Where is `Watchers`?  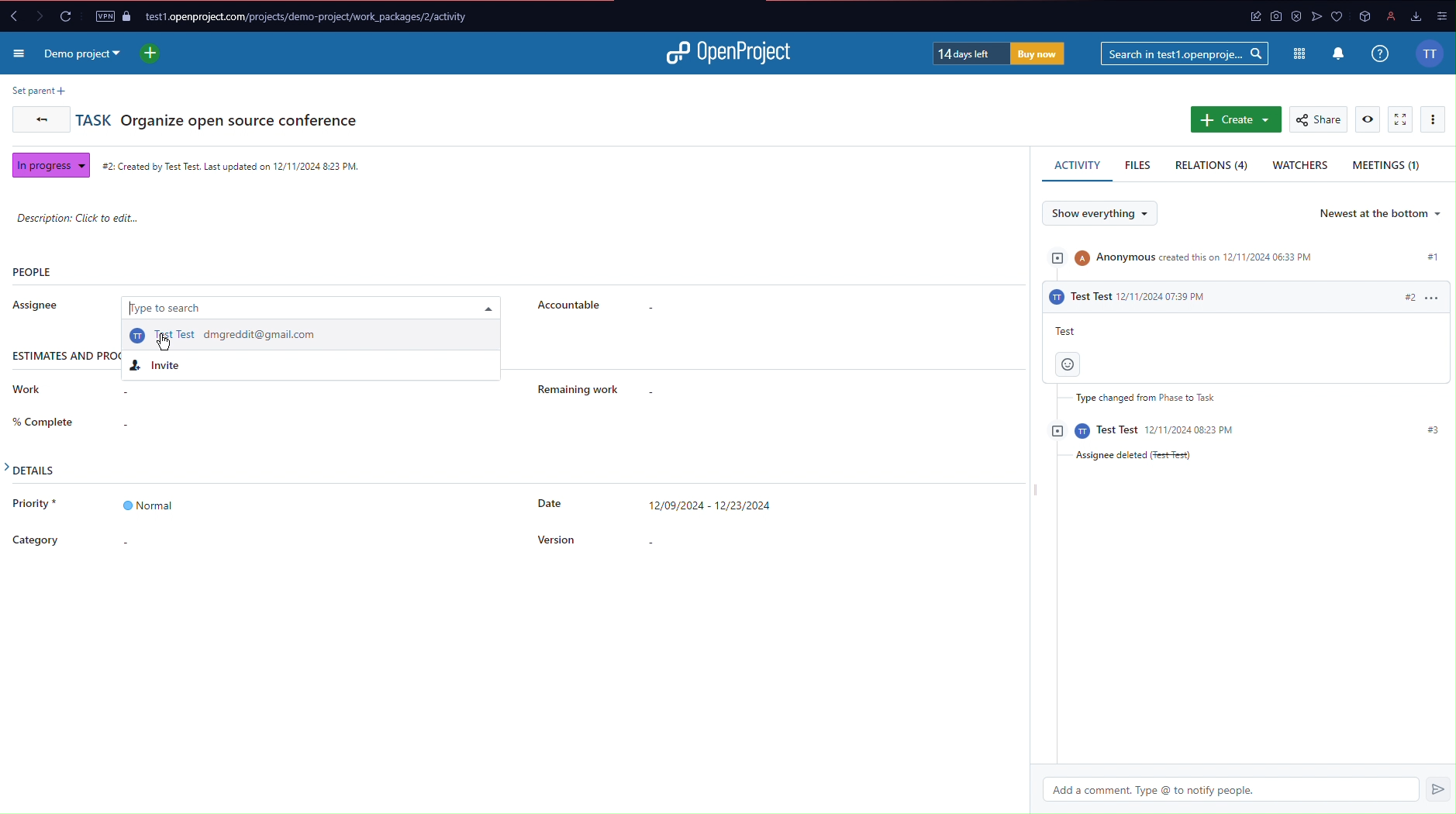 Watchers is located at coordinates (1300, 167).